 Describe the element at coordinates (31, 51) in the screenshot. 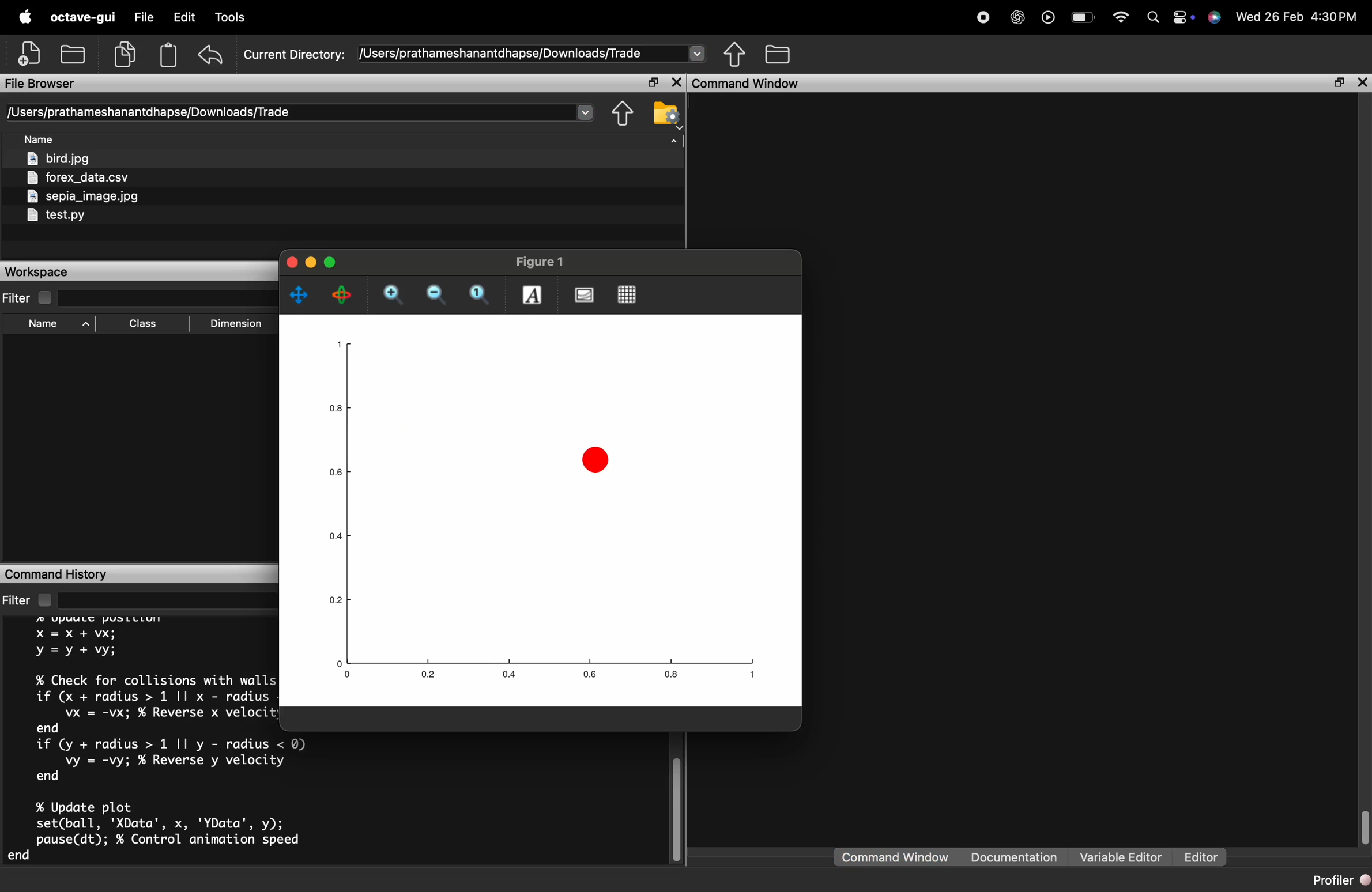

I see `add file` at that location.